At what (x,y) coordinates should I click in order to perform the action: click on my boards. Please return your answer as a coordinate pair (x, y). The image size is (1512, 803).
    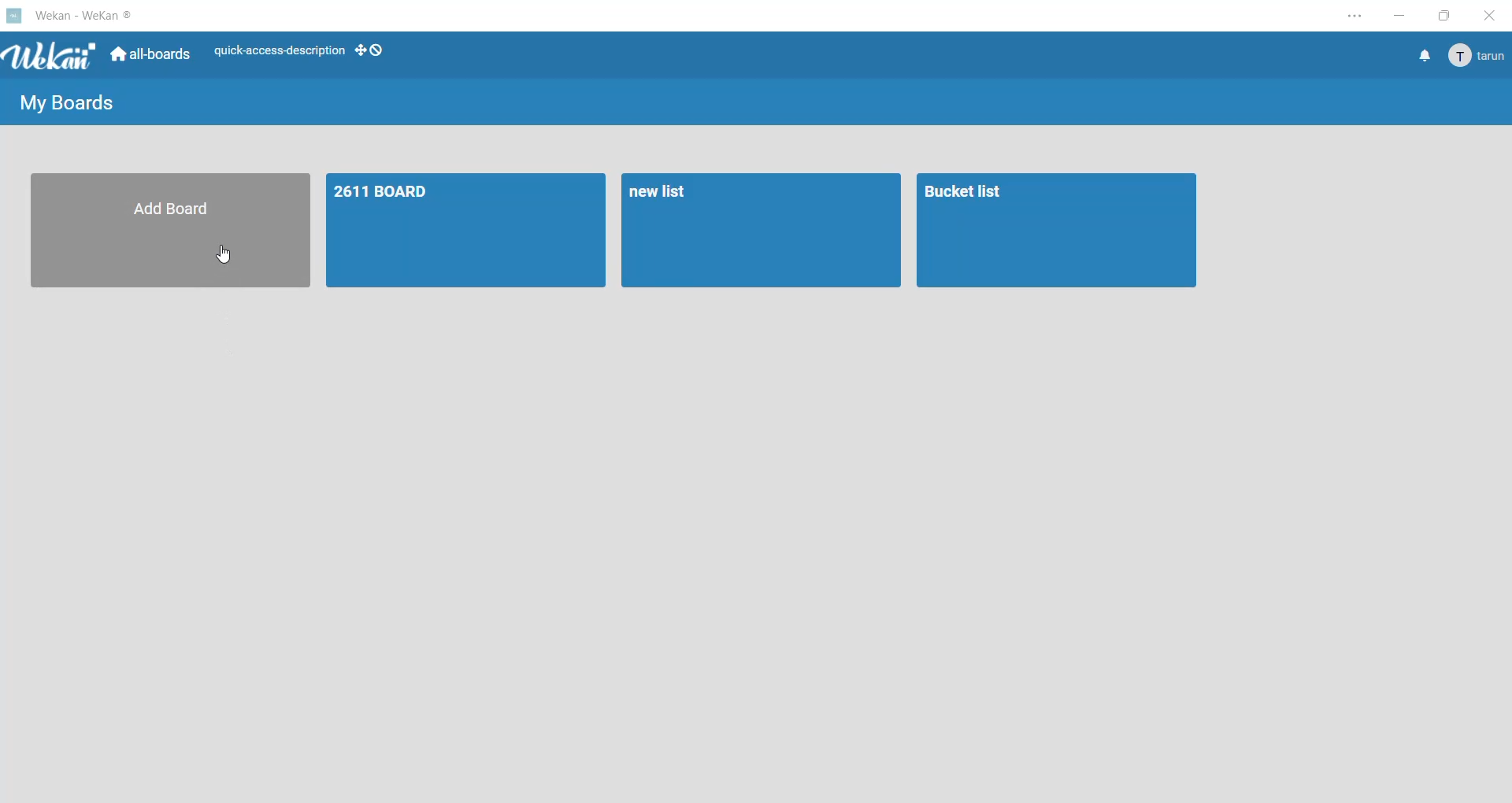
    Looking at the image, I should click on (67, 102).